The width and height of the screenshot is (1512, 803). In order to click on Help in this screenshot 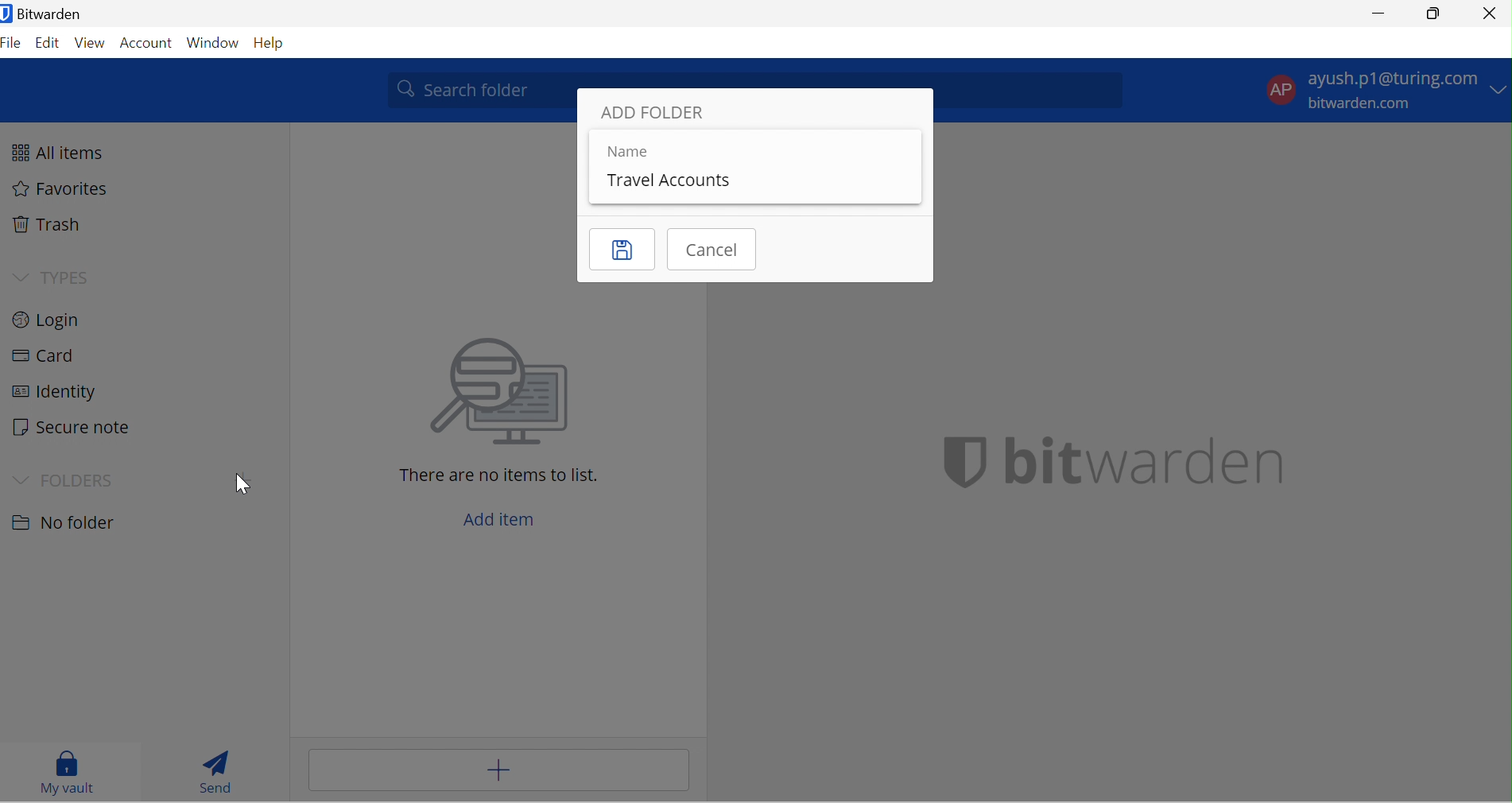, I will do `click(273, 43)`.